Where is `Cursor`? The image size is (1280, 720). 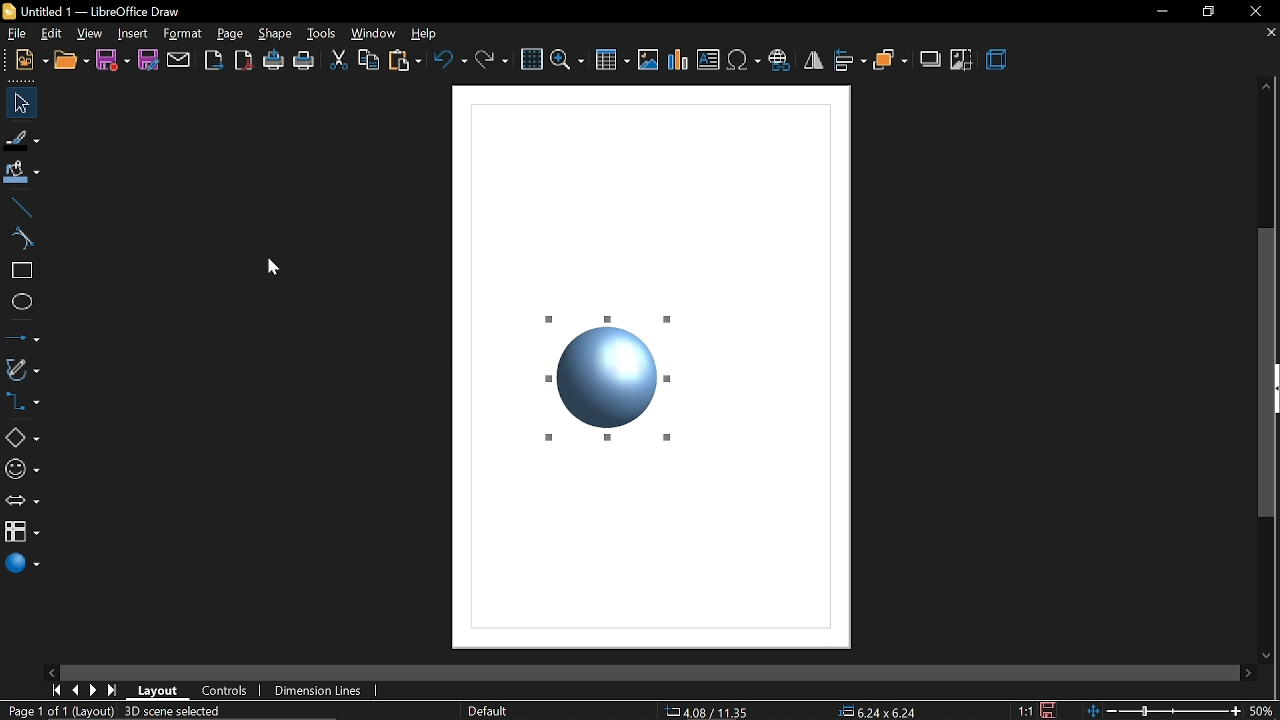
Cursor is located at coordinates (266, 274).